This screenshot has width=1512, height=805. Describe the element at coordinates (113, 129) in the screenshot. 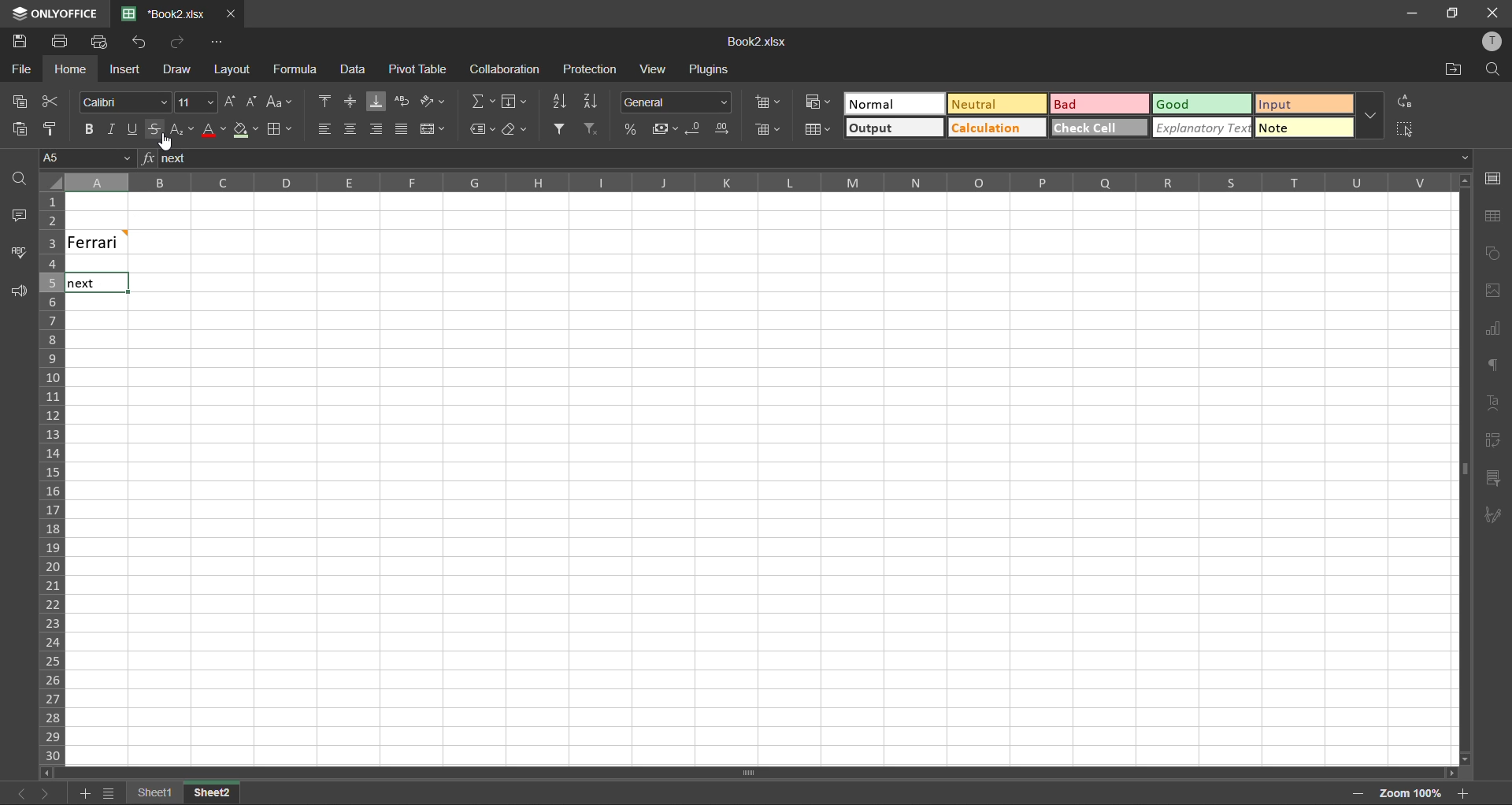

I see `italic` at that location.